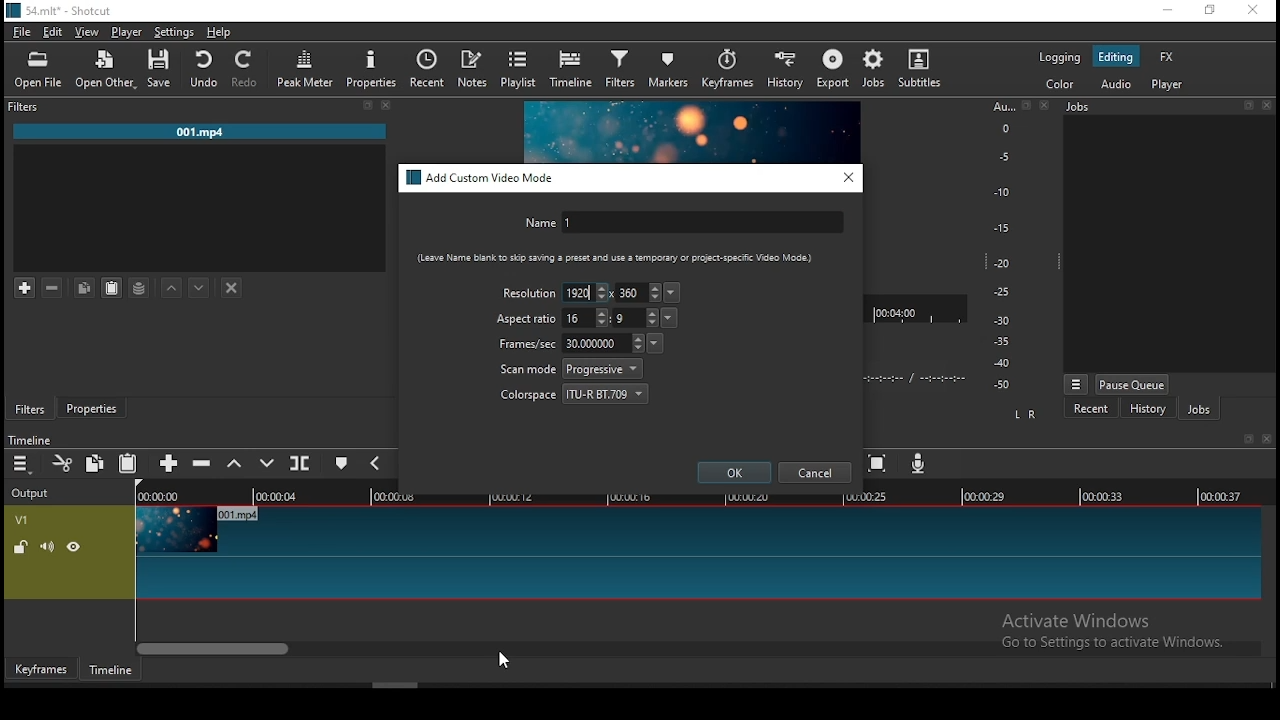  I want to click on restore, so click(1246, 440).